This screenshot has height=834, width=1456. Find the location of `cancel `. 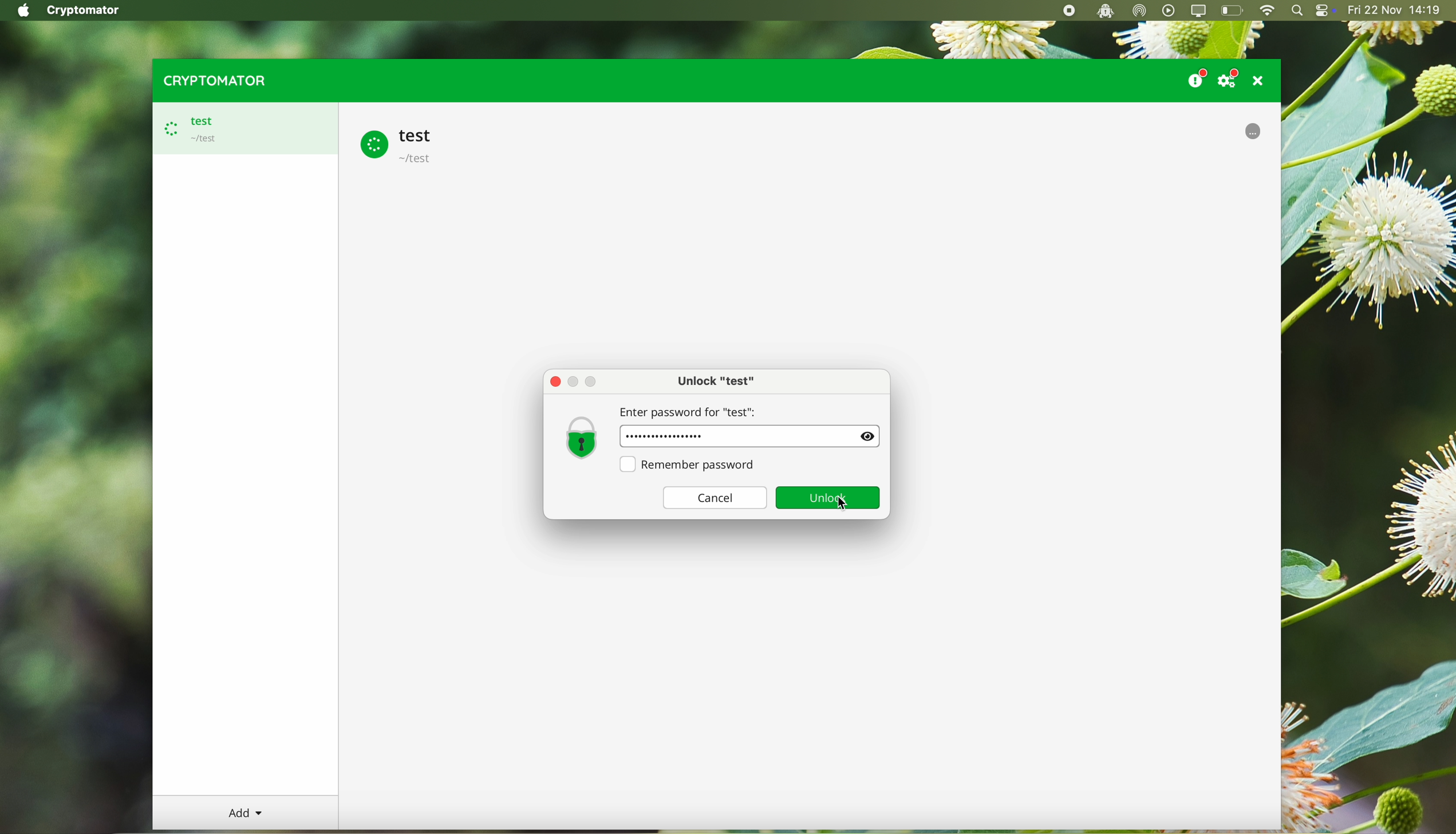

cancel  is located at coordinates (714, 497).